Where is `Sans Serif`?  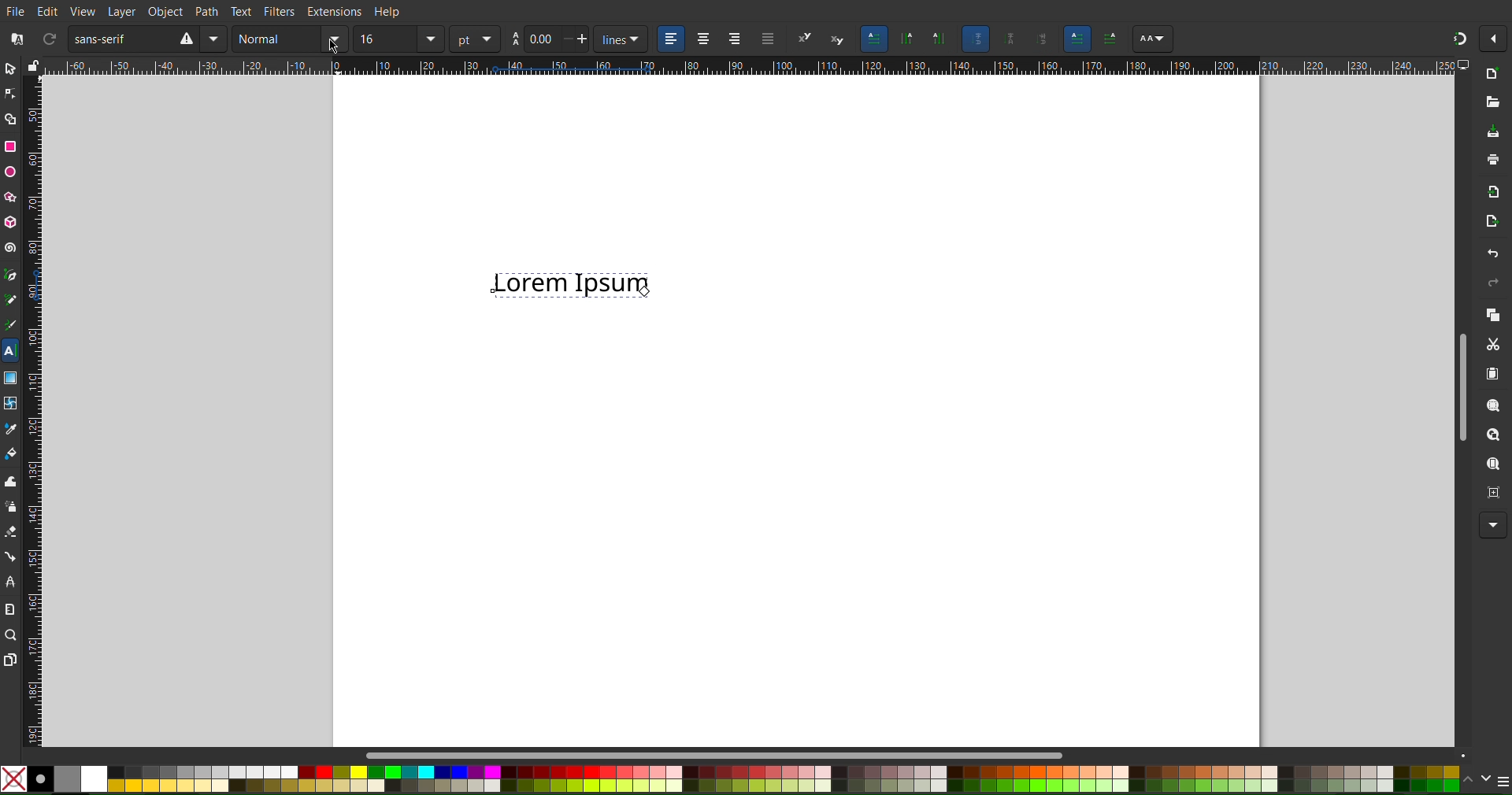
Sans Serif is located at coordinates (108, 39).